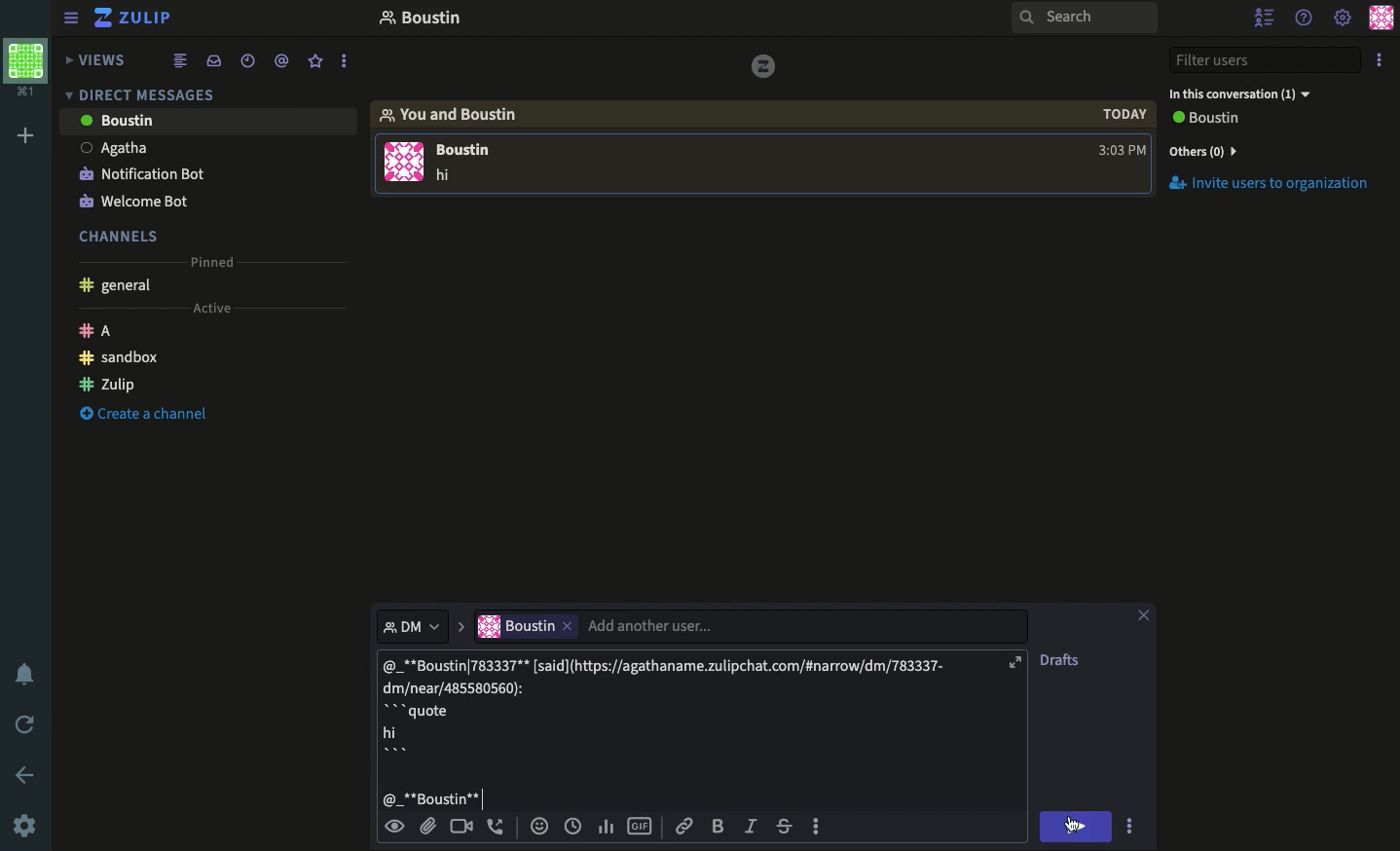 The width and height of the screenshot is (1400, 851). Describe the element at coordinates (1278, 185) in the screenshot. I see `Invite users to organization` at that location.